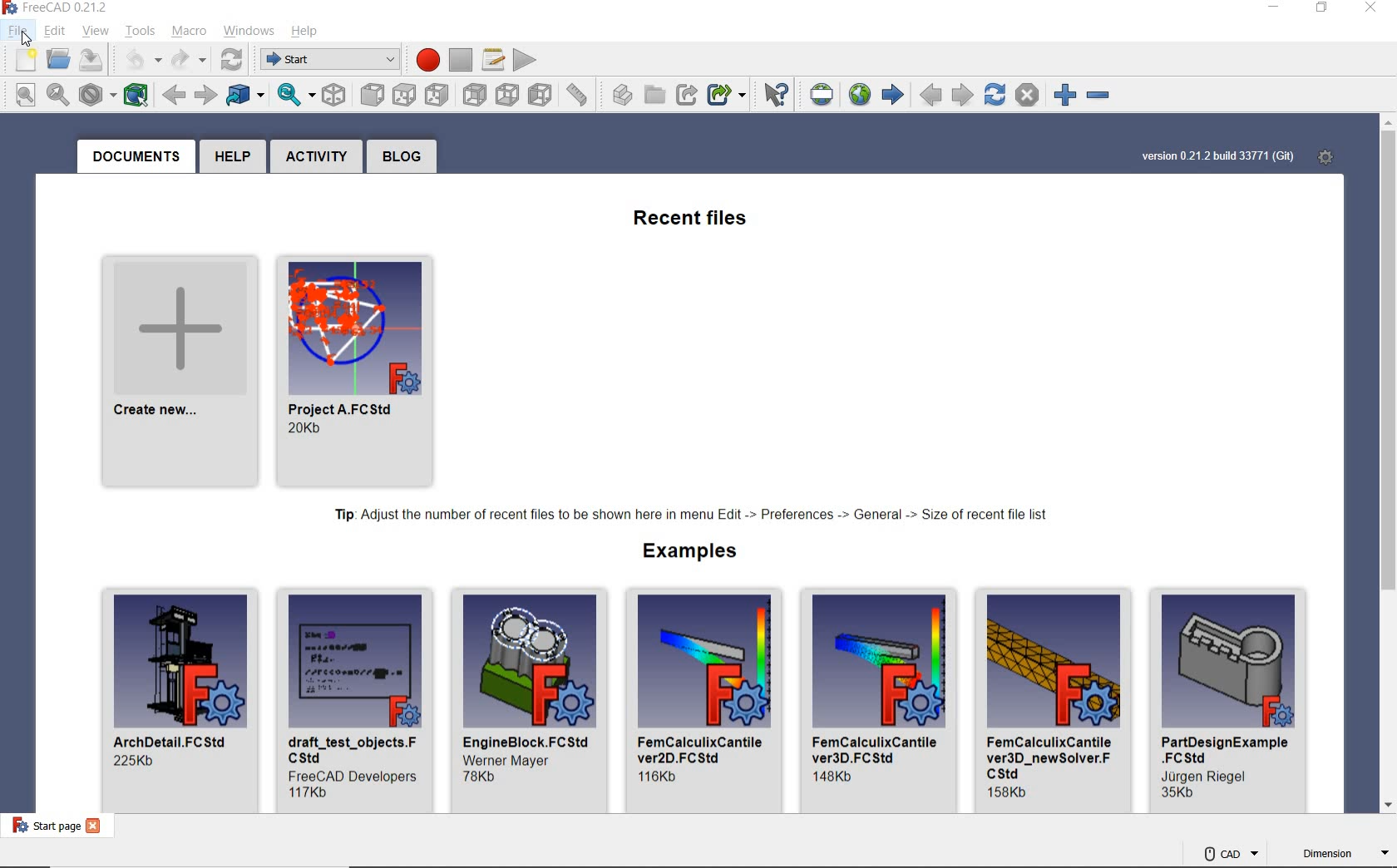 Image resolution: width=1397 pixels, height=868 pixels. Describe the element at coordinates (18, 31) in the screenshot. I see `FILE` at that location.